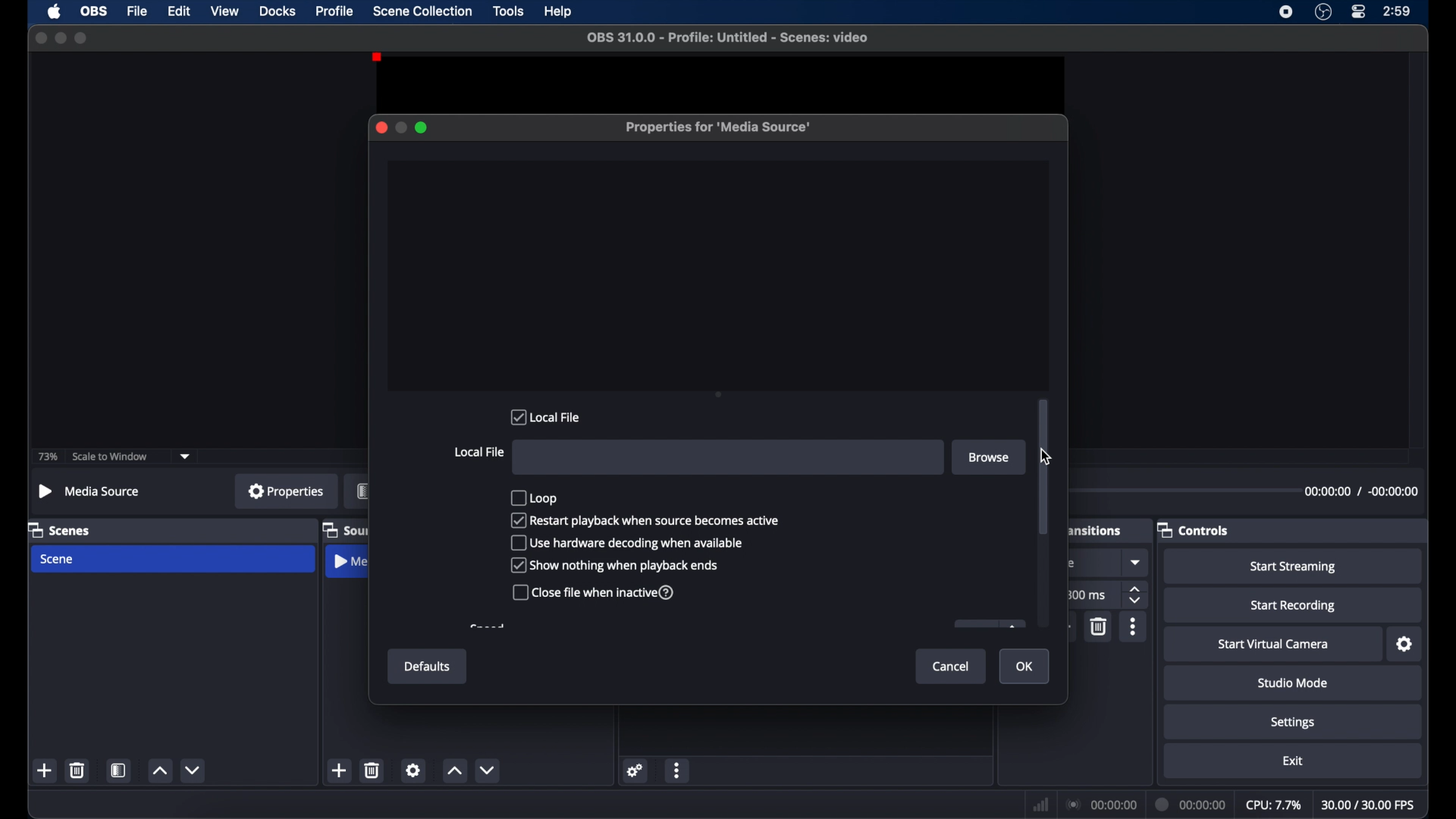 The image size is (1456, 819). I want to click on no source selected, so click(93, 491).